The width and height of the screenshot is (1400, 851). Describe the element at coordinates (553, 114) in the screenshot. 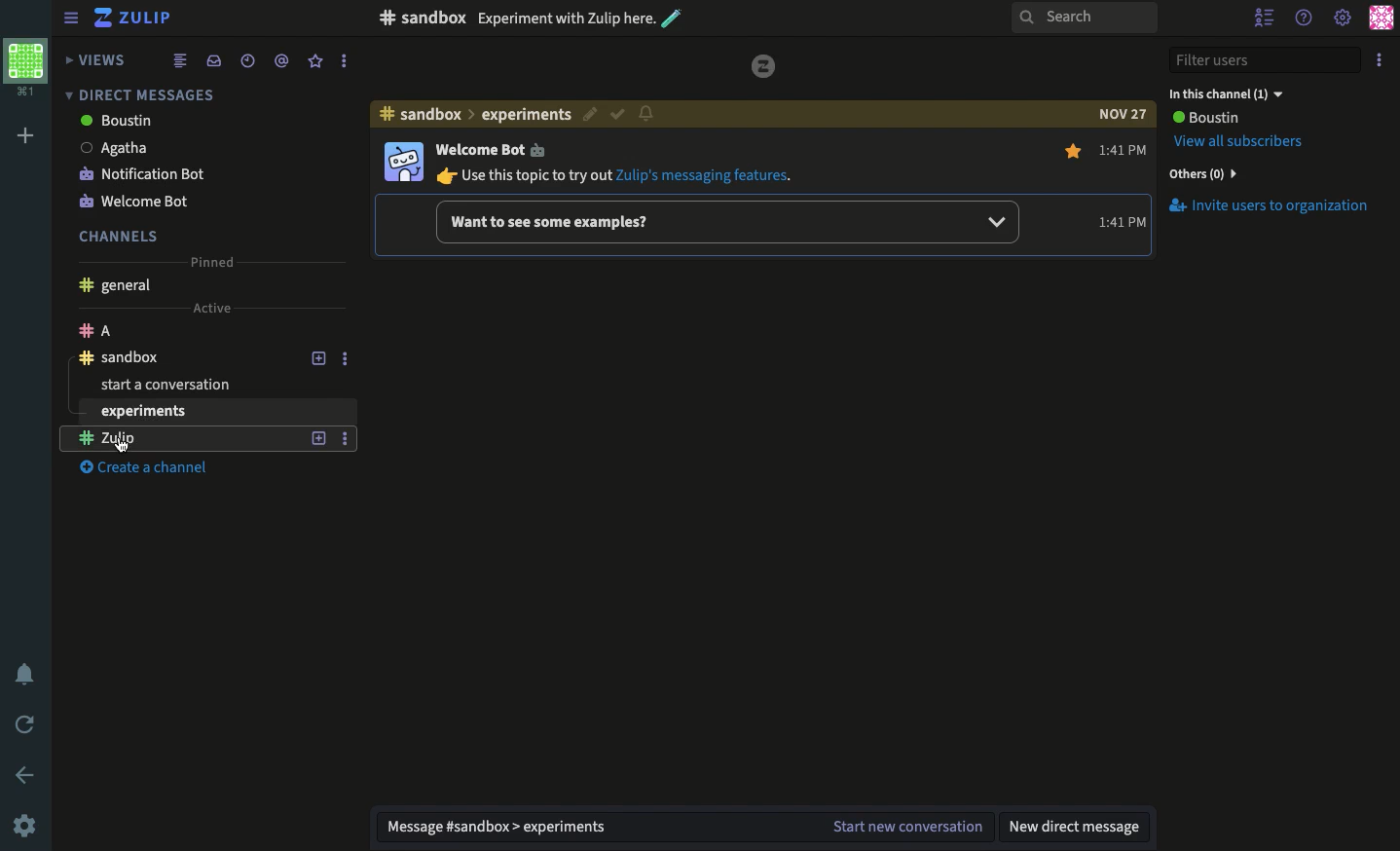

I see `Topic` at that location.